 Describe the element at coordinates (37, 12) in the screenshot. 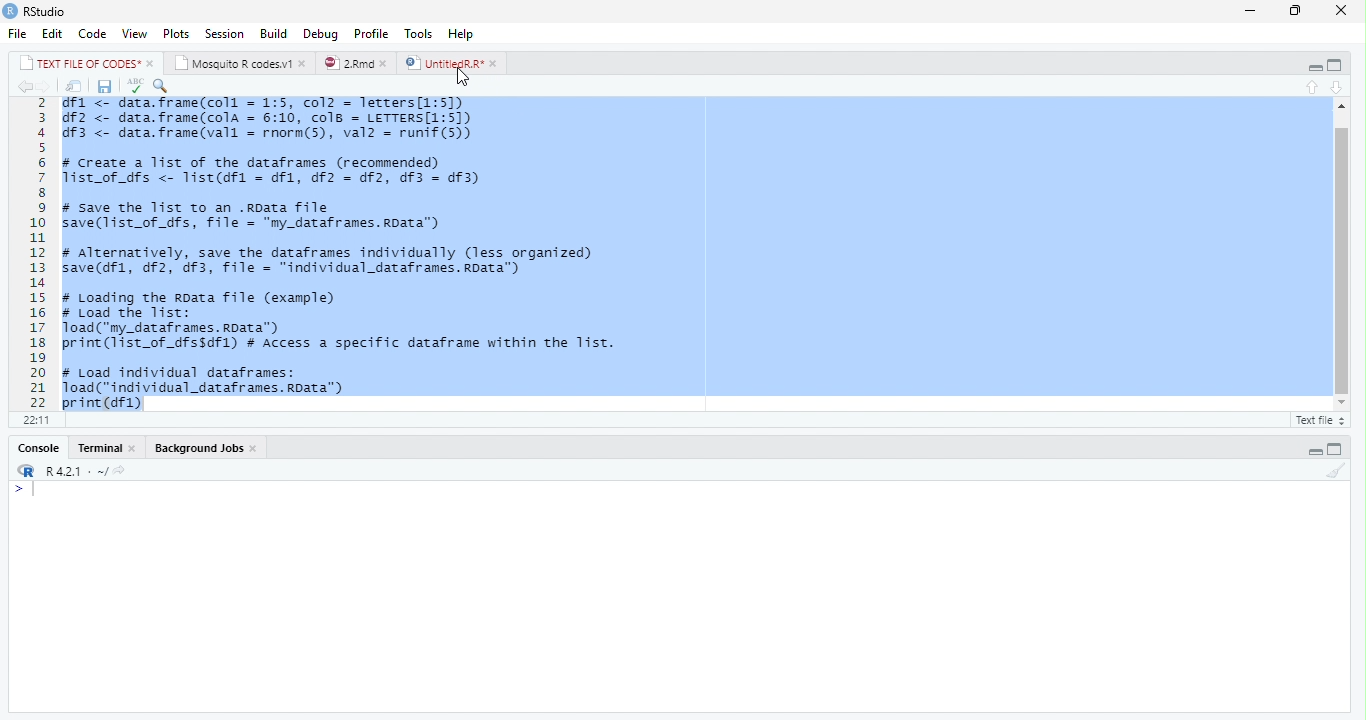

I see `RStudio` at that location.